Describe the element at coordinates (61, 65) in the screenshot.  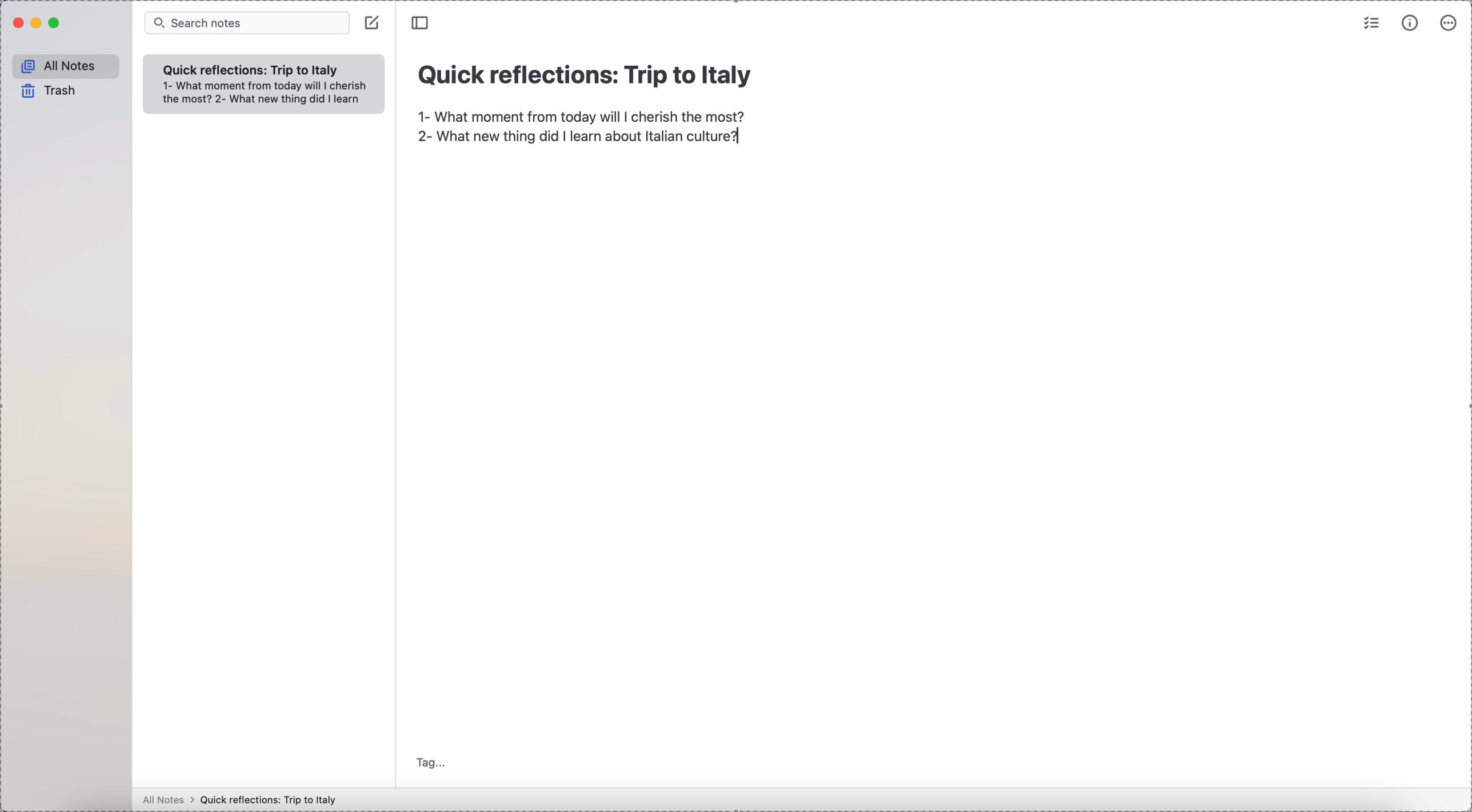
I see `all notes` at that location.